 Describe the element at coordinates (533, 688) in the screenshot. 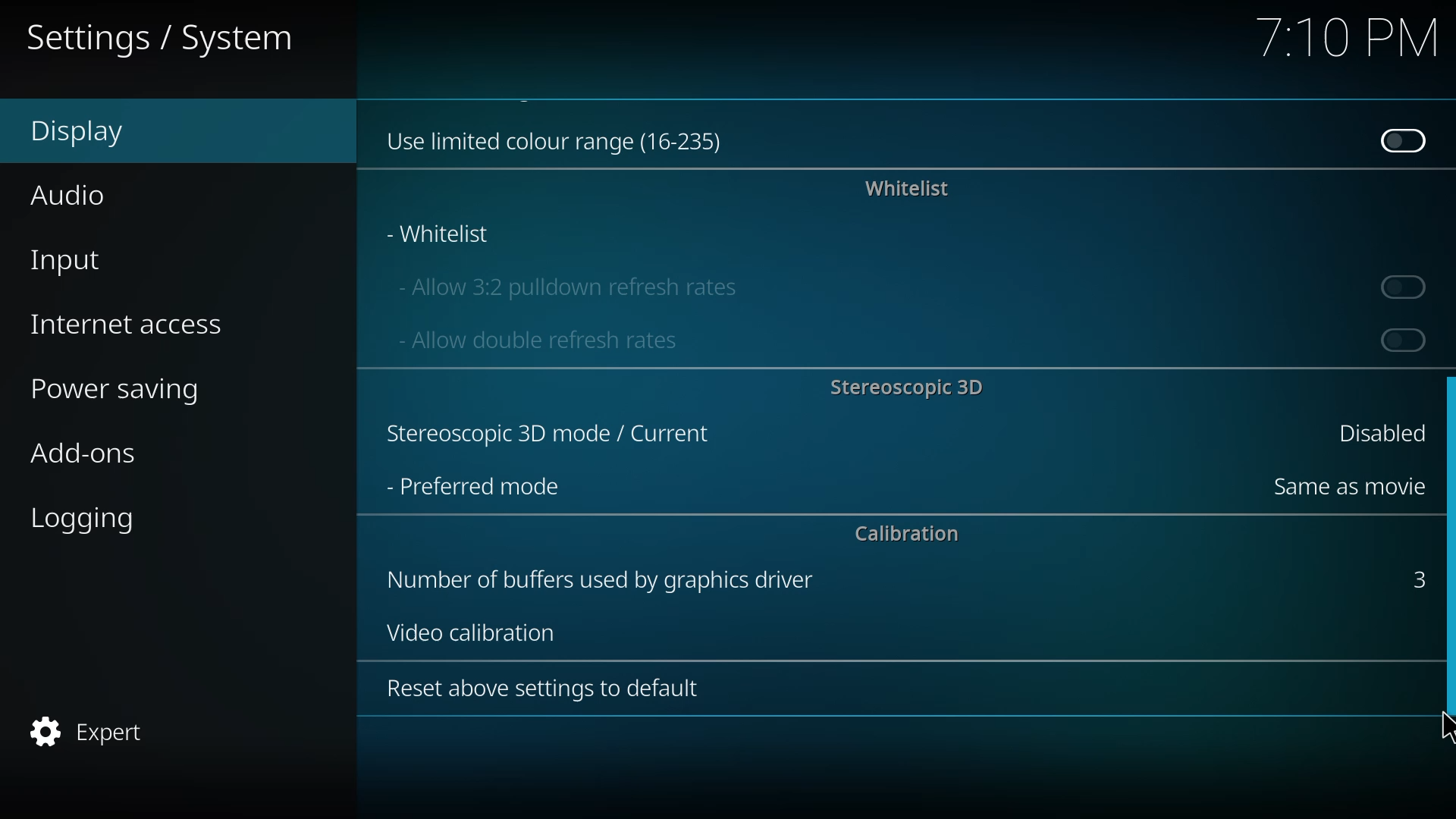

I see `reset` at that location.